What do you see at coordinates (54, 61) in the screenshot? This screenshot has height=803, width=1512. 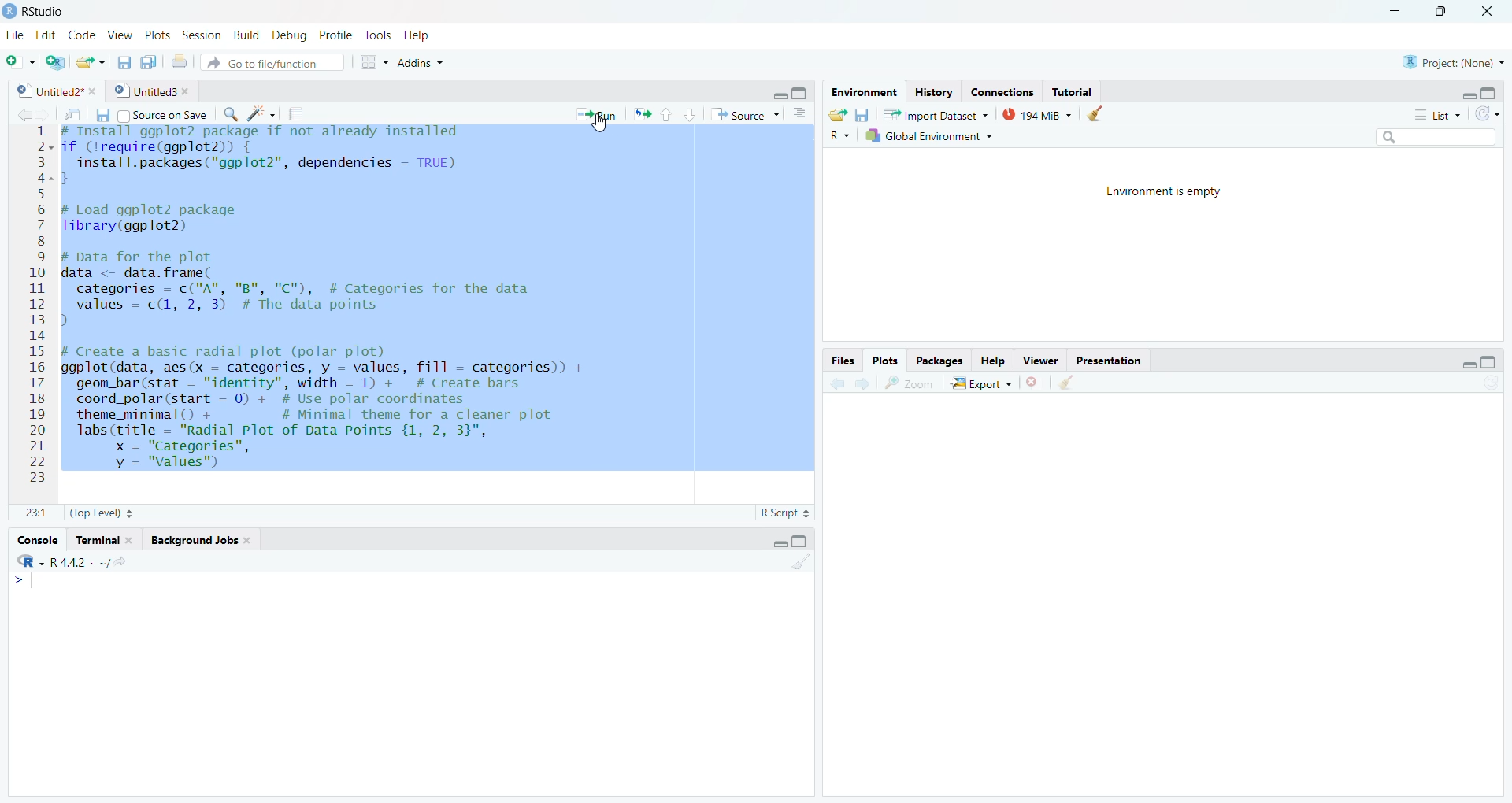 I see `create a project` at bounding box center [54, 61].